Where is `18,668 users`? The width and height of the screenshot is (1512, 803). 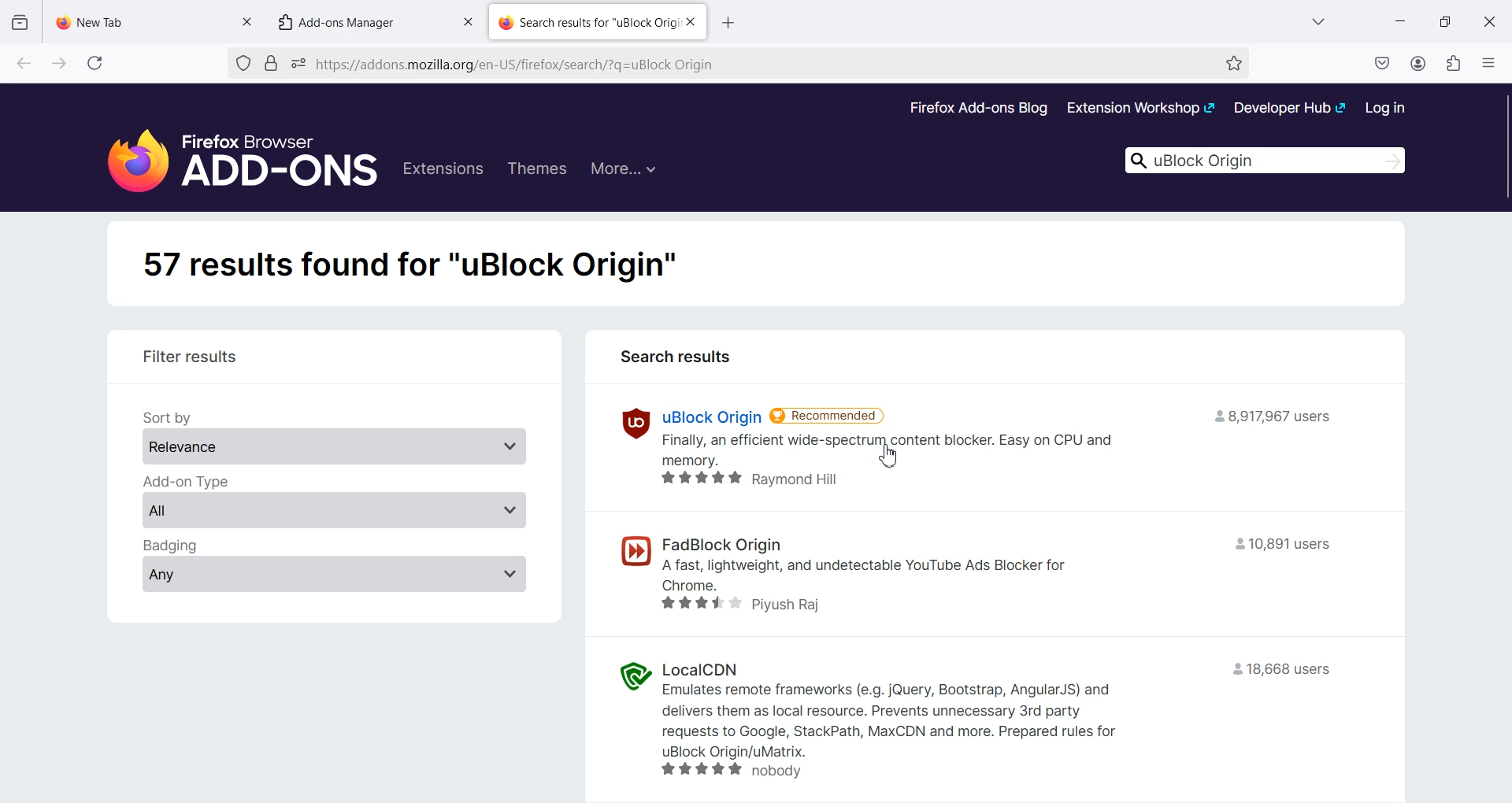
18,668 users is located at coordinates (1287, 671).